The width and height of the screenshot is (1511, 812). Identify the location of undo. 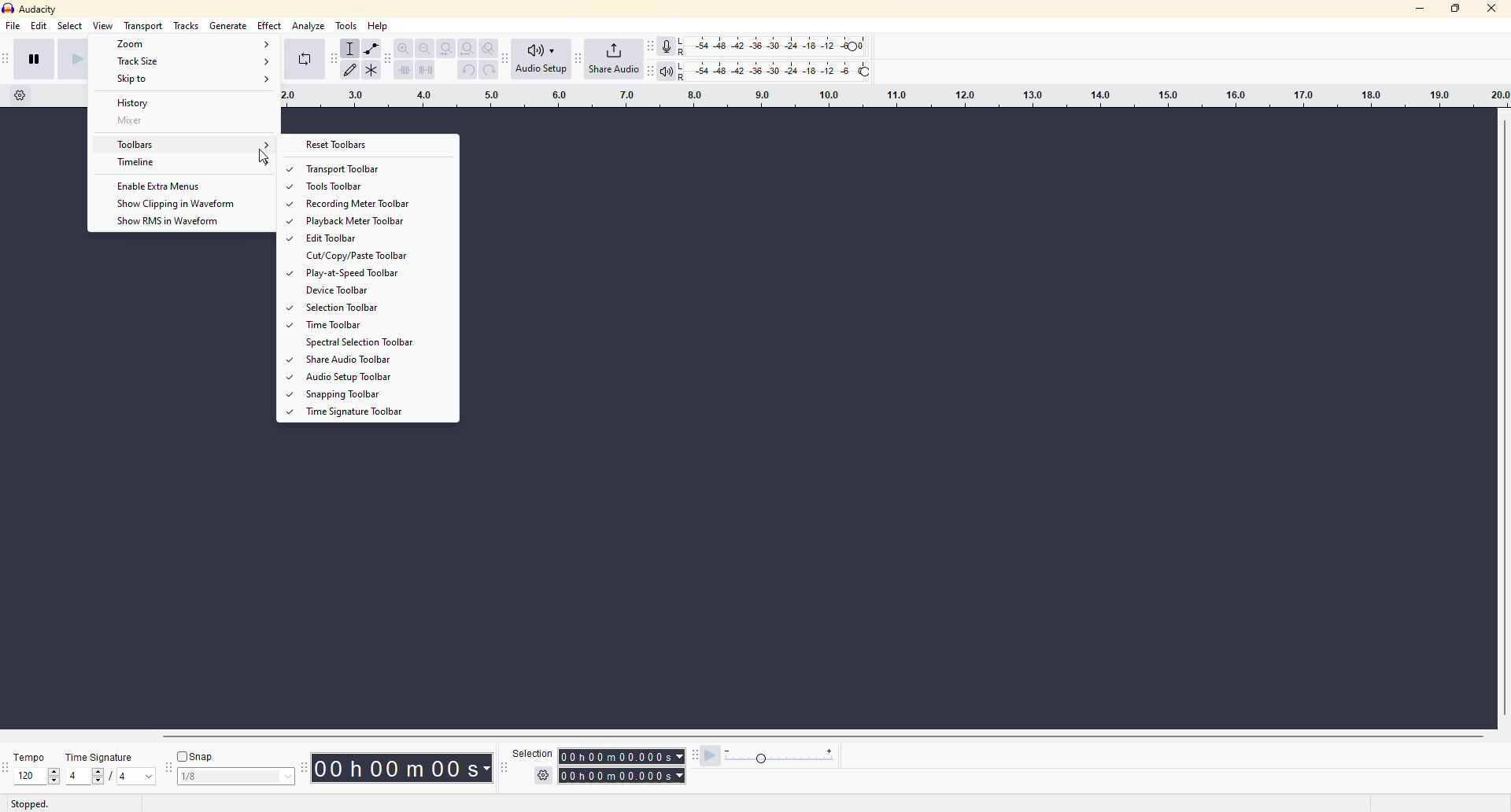
(468, 69).